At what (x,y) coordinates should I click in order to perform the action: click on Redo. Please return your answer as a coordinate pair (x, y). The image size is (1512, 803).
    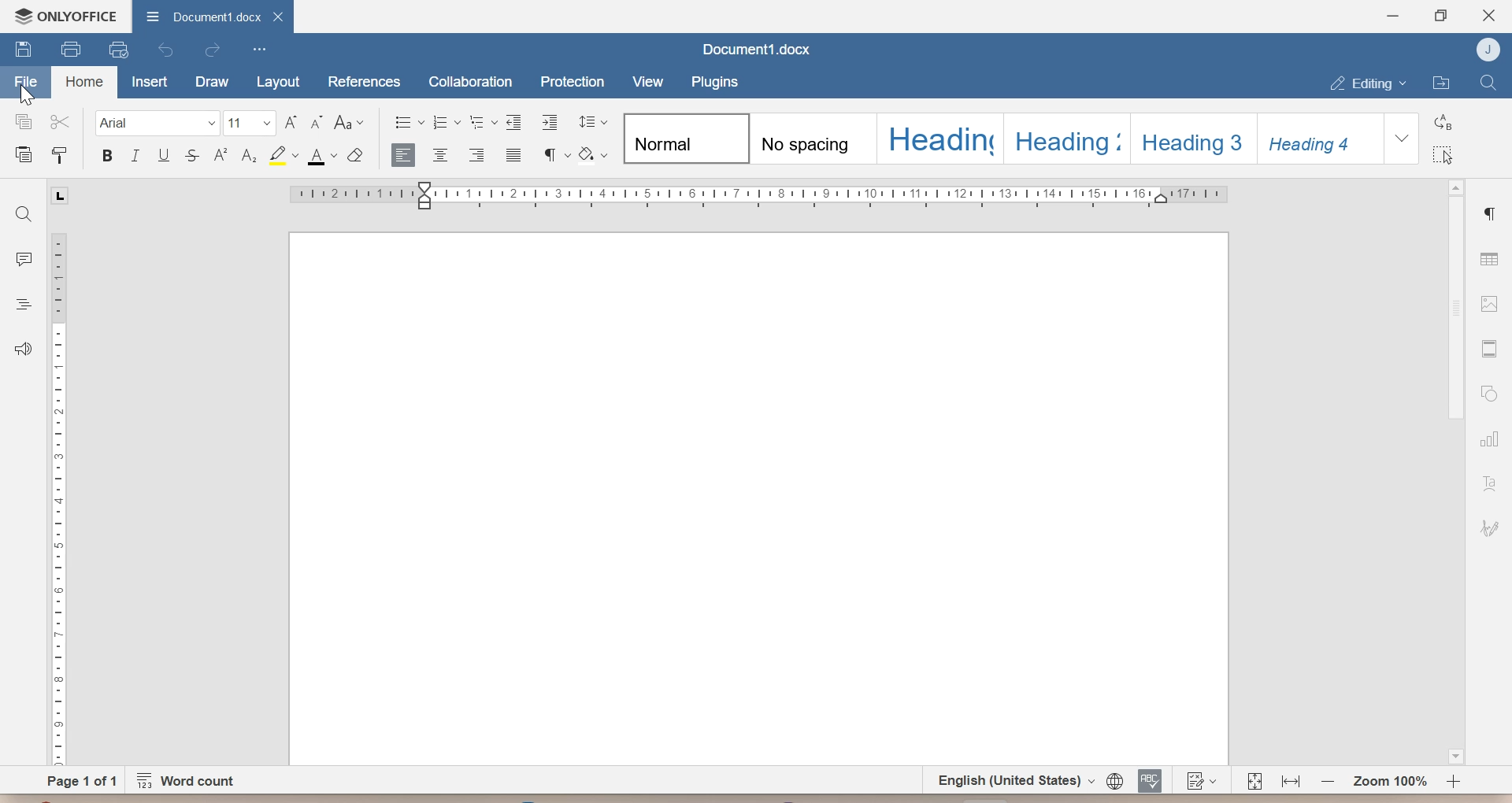
    Looking at the image, I should click on (213, 52).